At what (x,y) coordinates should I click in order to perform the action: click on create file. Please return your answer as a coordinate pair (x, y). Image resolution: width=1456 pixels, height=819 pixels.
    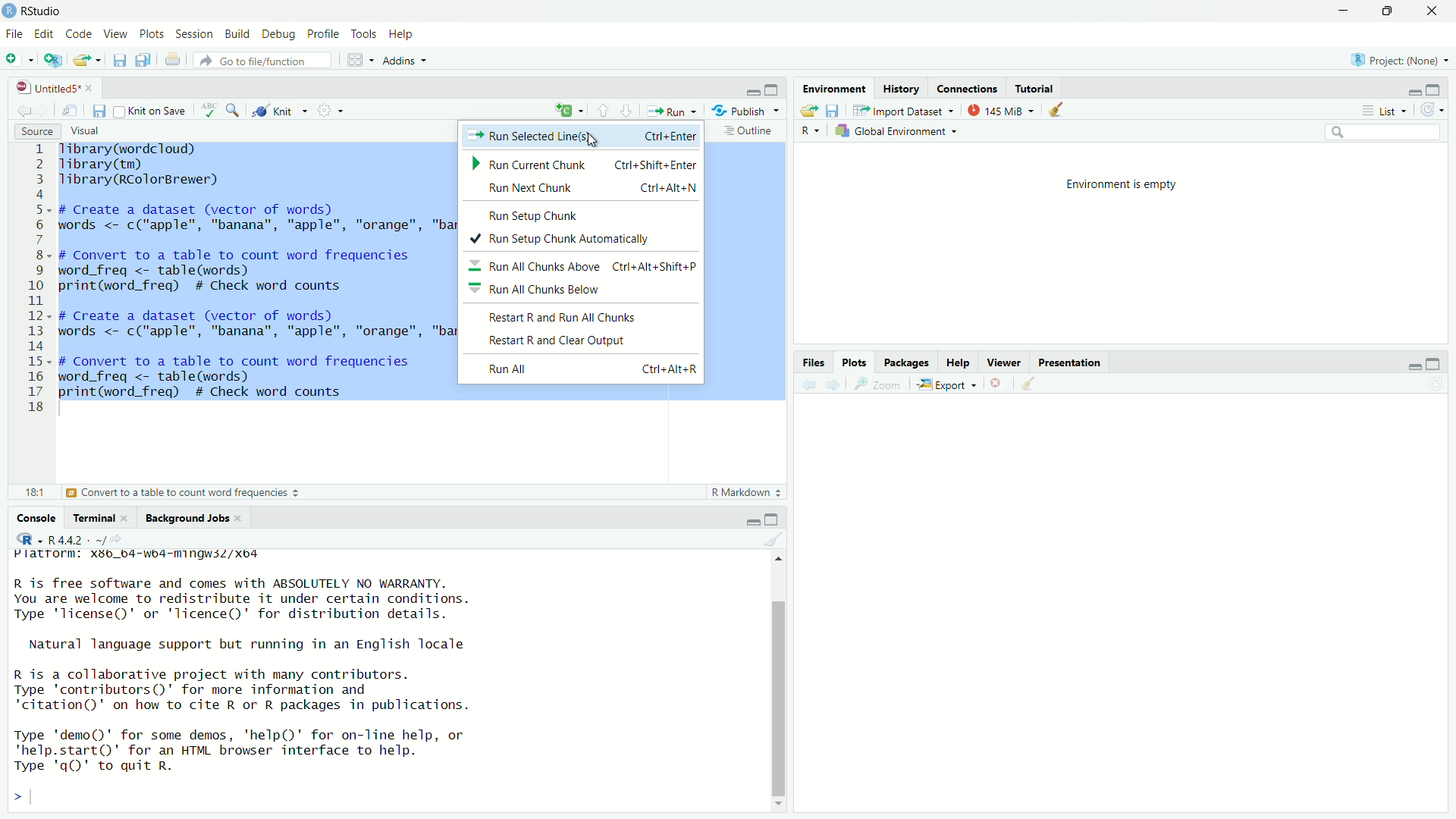
    Looking at the image, I should click on (572, 111).